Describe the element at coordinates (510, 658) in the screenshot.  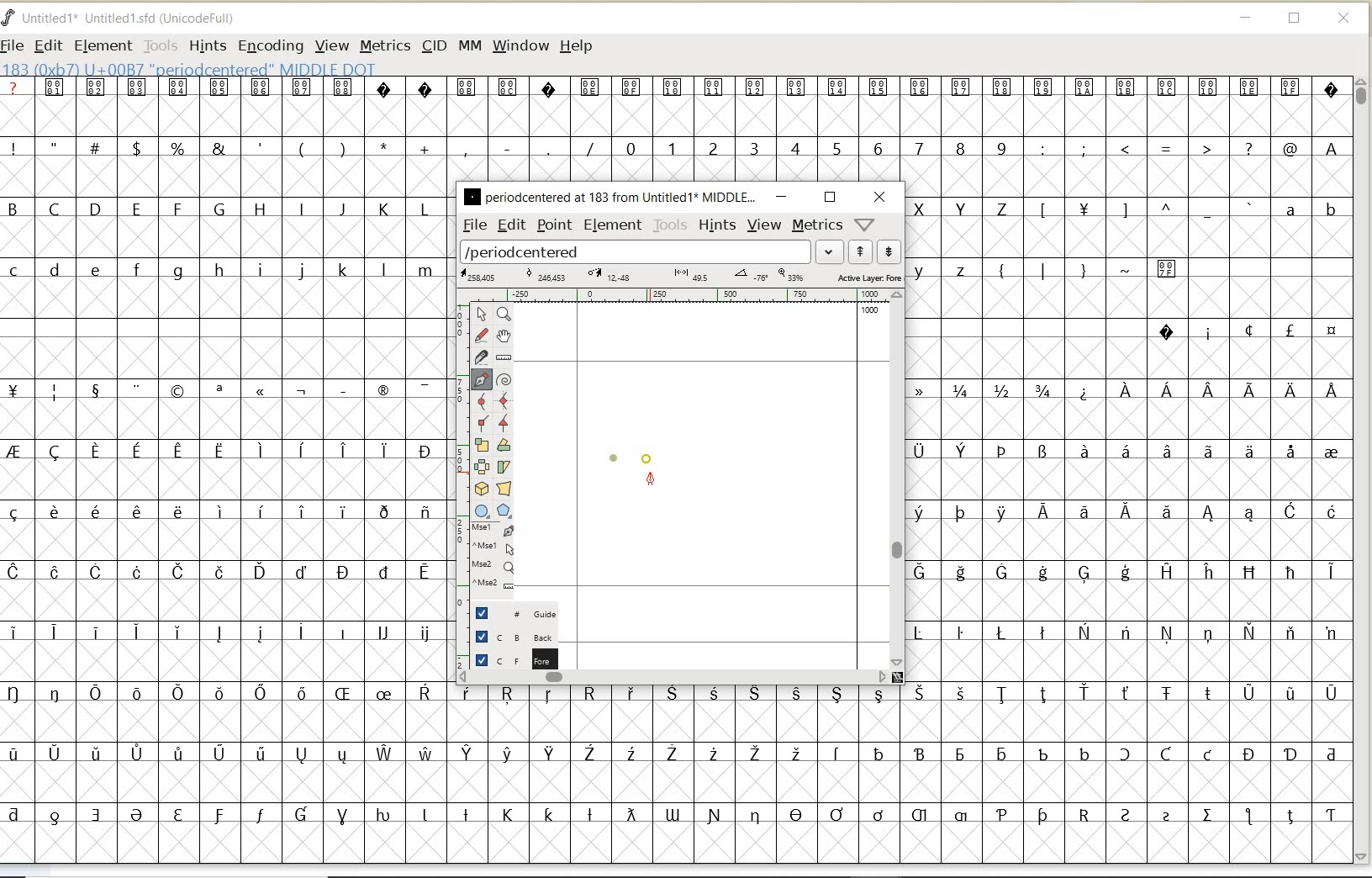
I see `foreground` at that location.